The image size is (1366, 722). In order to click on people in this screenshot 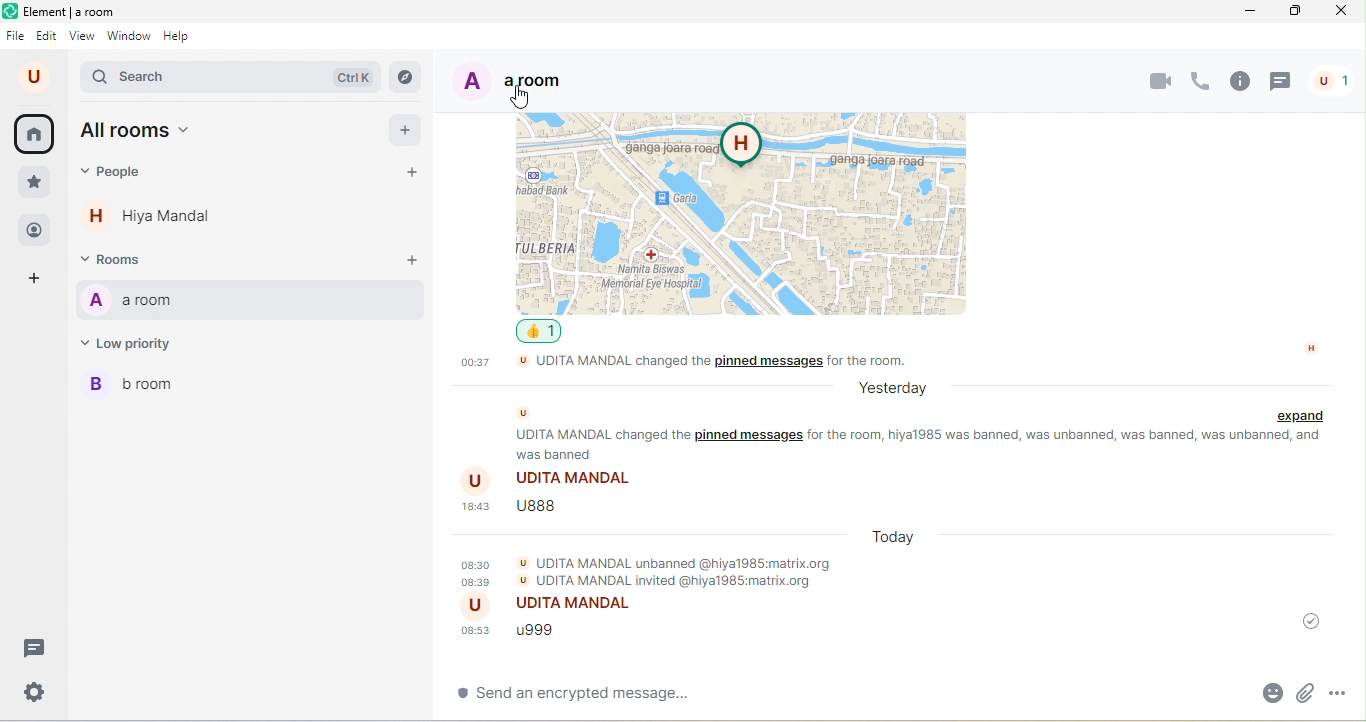, I will do `click(33, 229)`.